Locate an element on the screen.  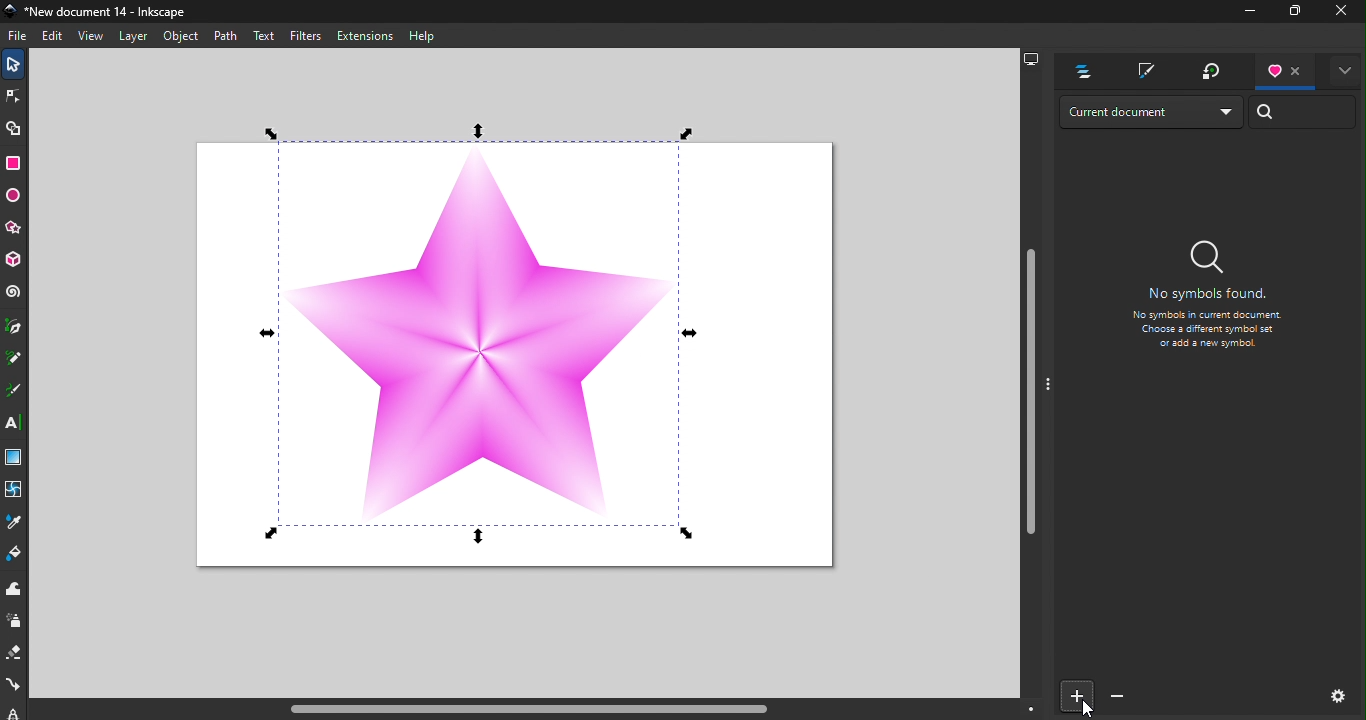
Horizontal scroll bar is located at coordinates (539, 710).